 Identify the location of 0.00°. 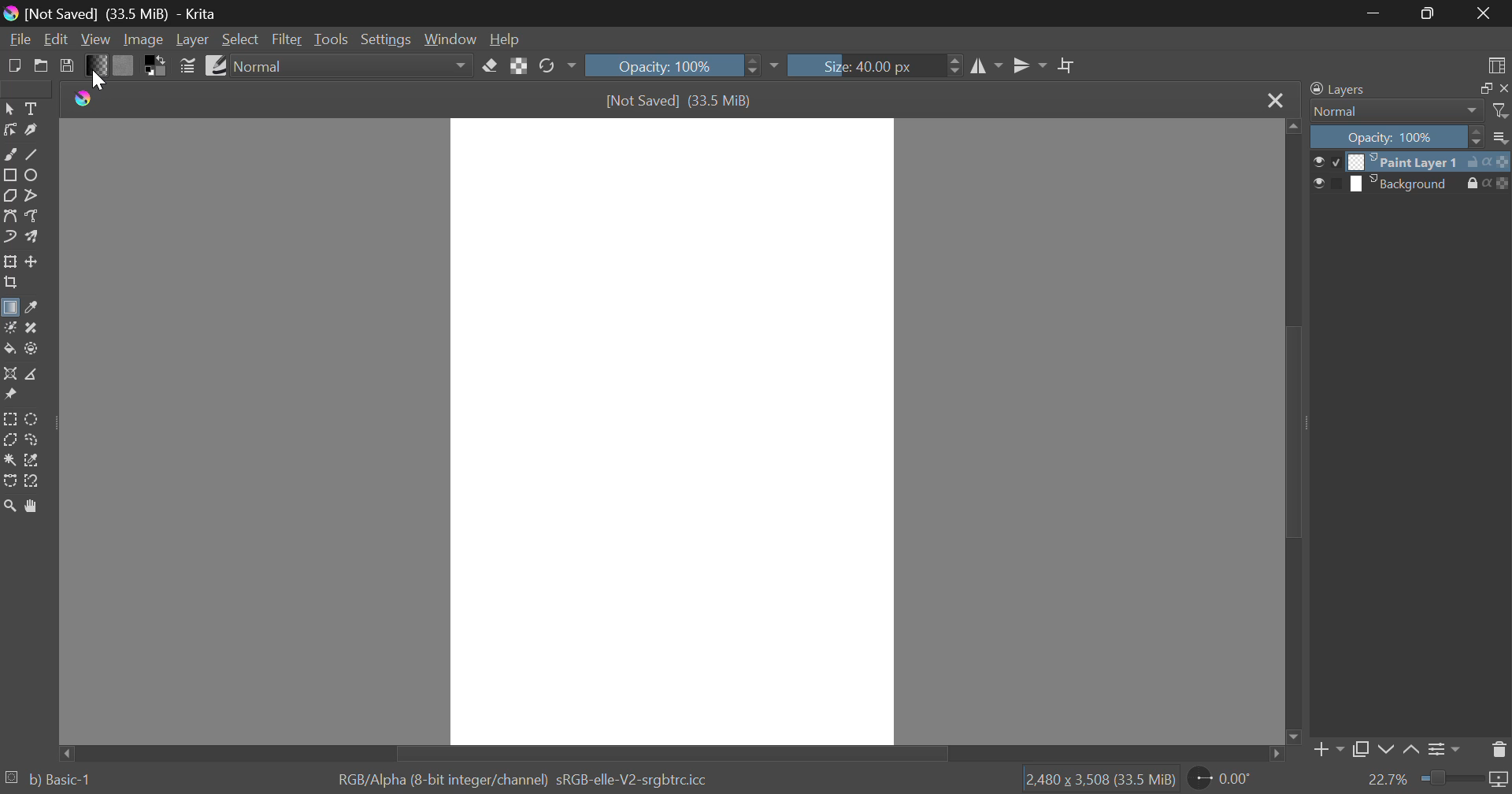
(1229, 777).